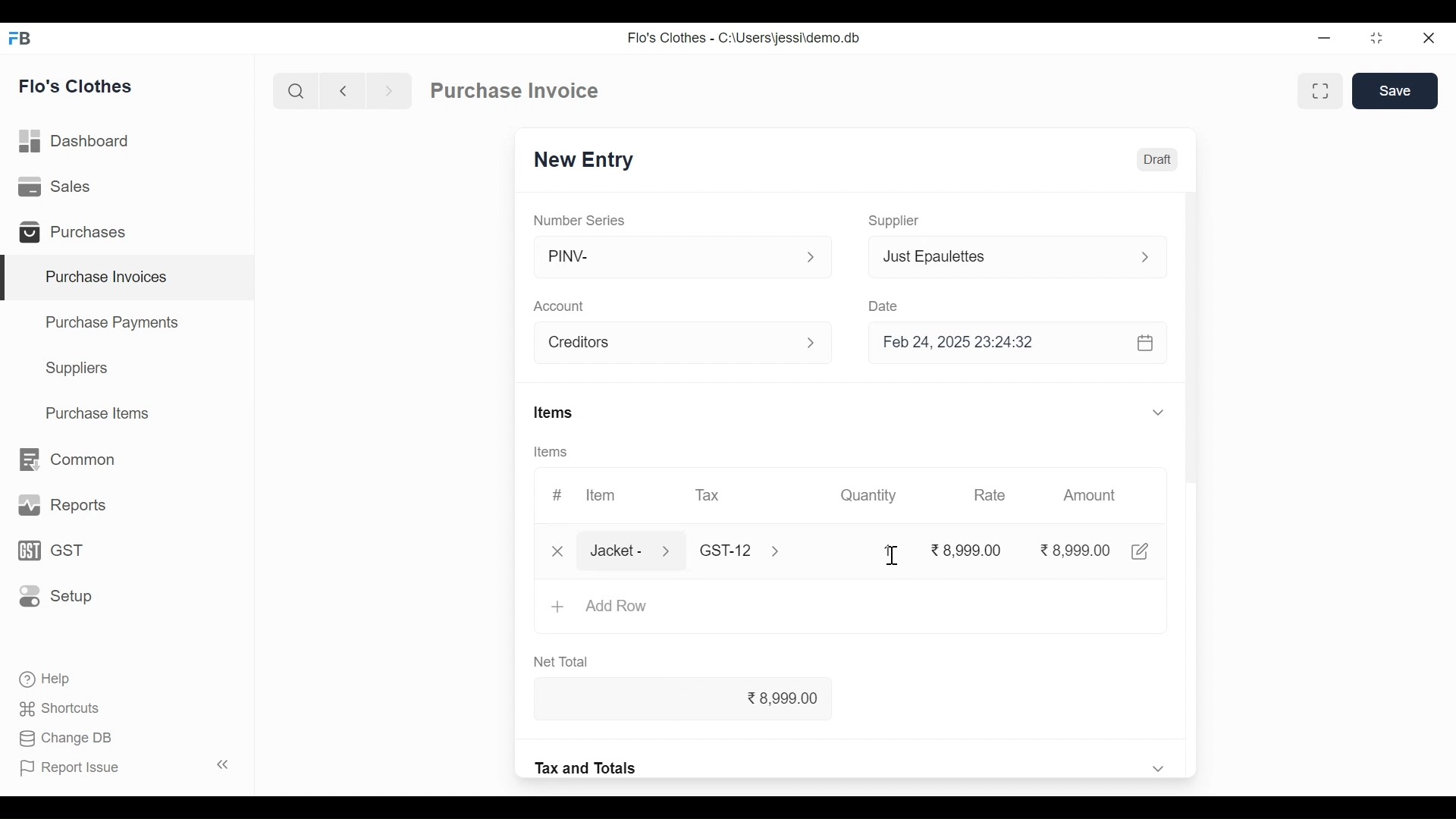 The height and width of the screenshot is (819, 1456). I want to click on Draft, so click(1157, 158).